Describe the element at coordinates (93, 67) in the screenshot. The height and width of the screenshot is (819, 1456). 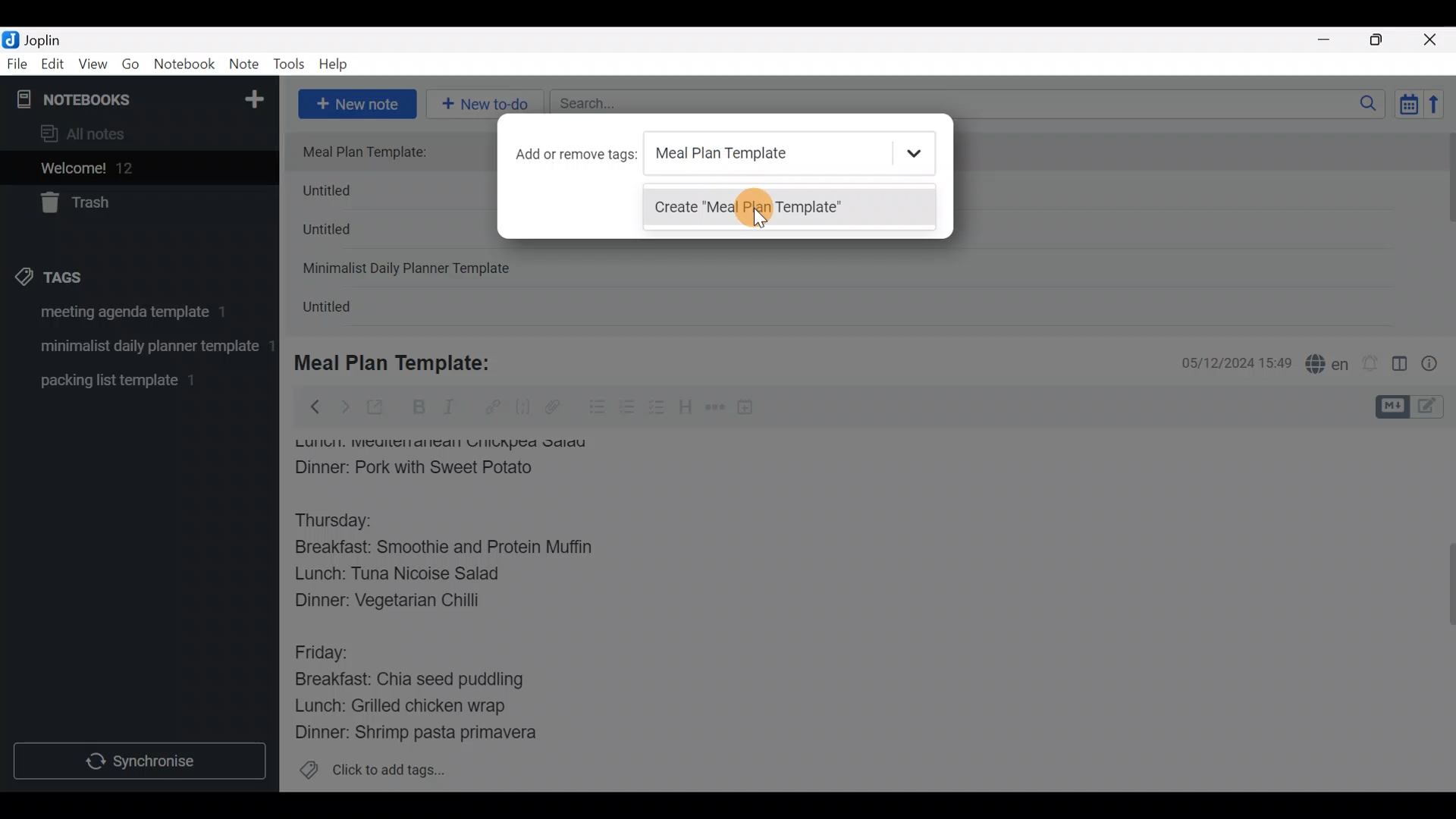
I see `View` at that location.